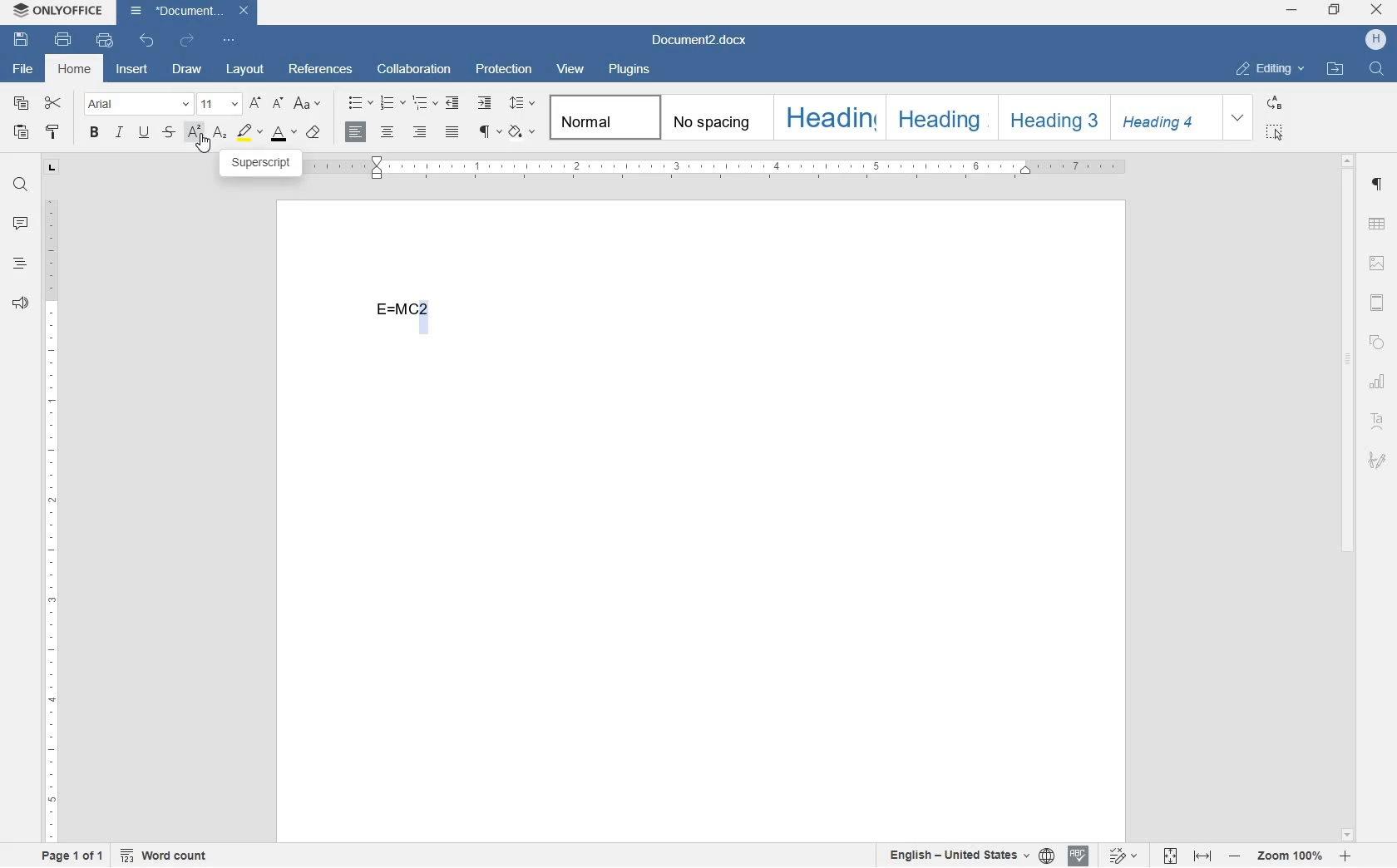 The image size is (1397, 868). What do you see at coordinates (827, 116) in the screenshot?
I see `Heading 1` at bounding box center [827, 116].